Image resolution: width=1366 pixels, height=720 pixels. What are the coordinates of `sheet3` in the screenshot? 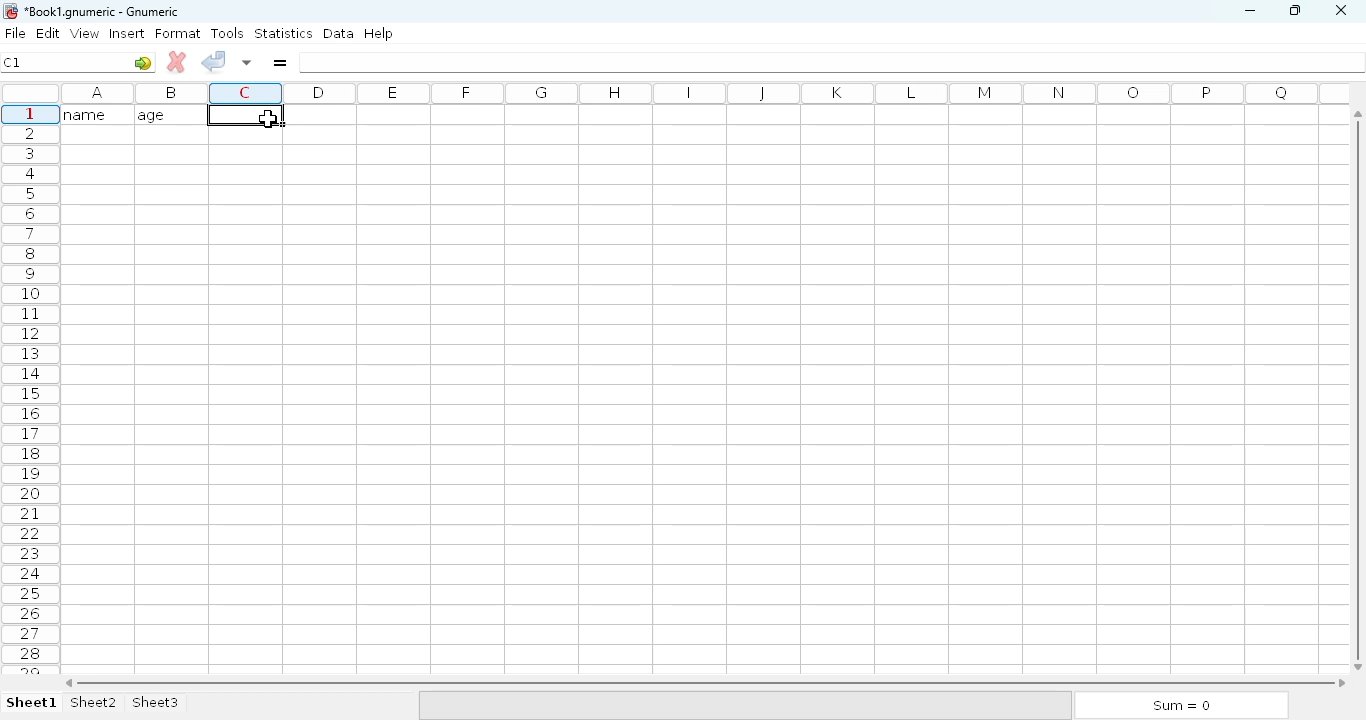 It's located at (155, 703).